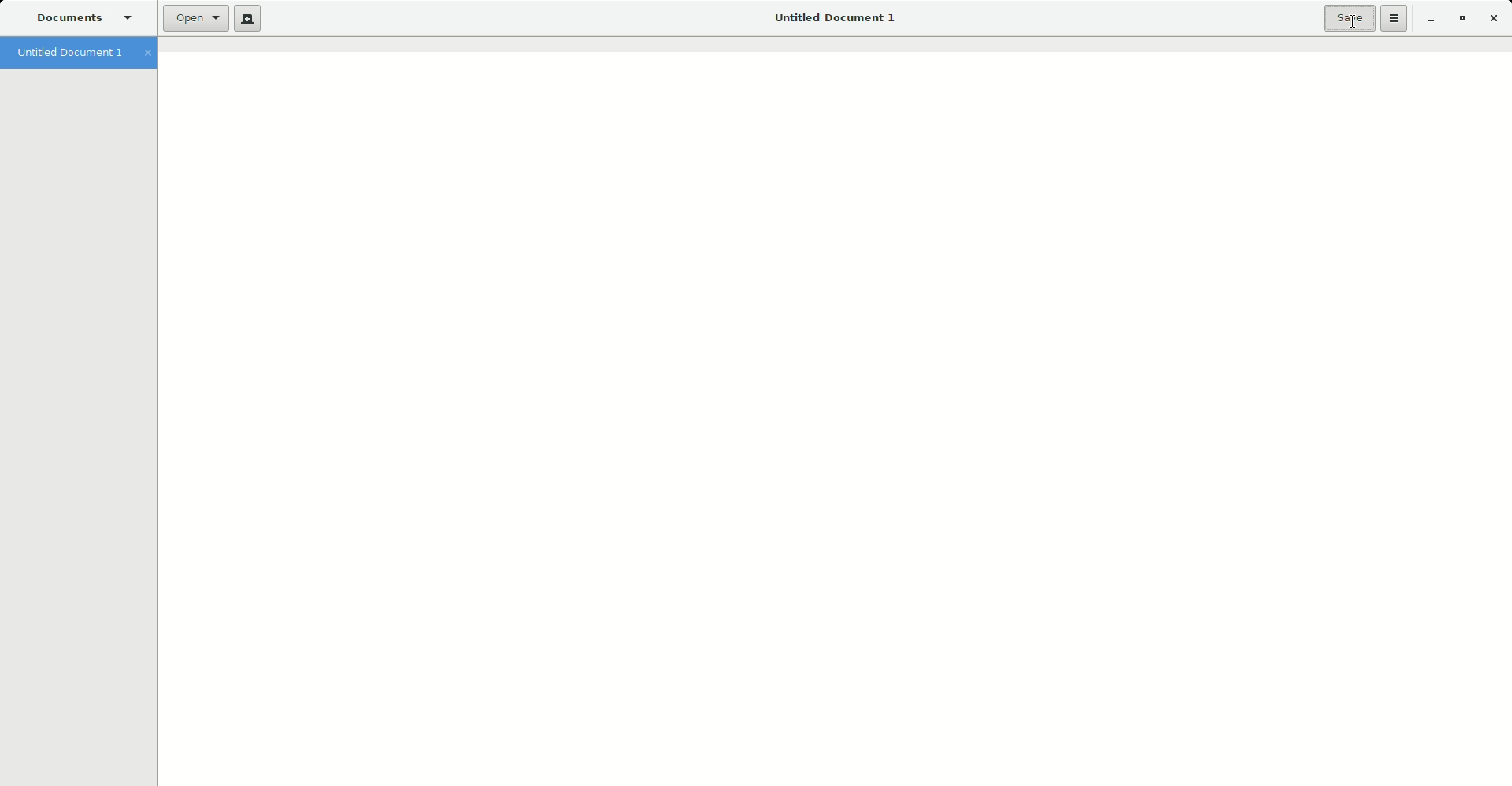  I want to click on Untitled Document 1, so click(83, 54).